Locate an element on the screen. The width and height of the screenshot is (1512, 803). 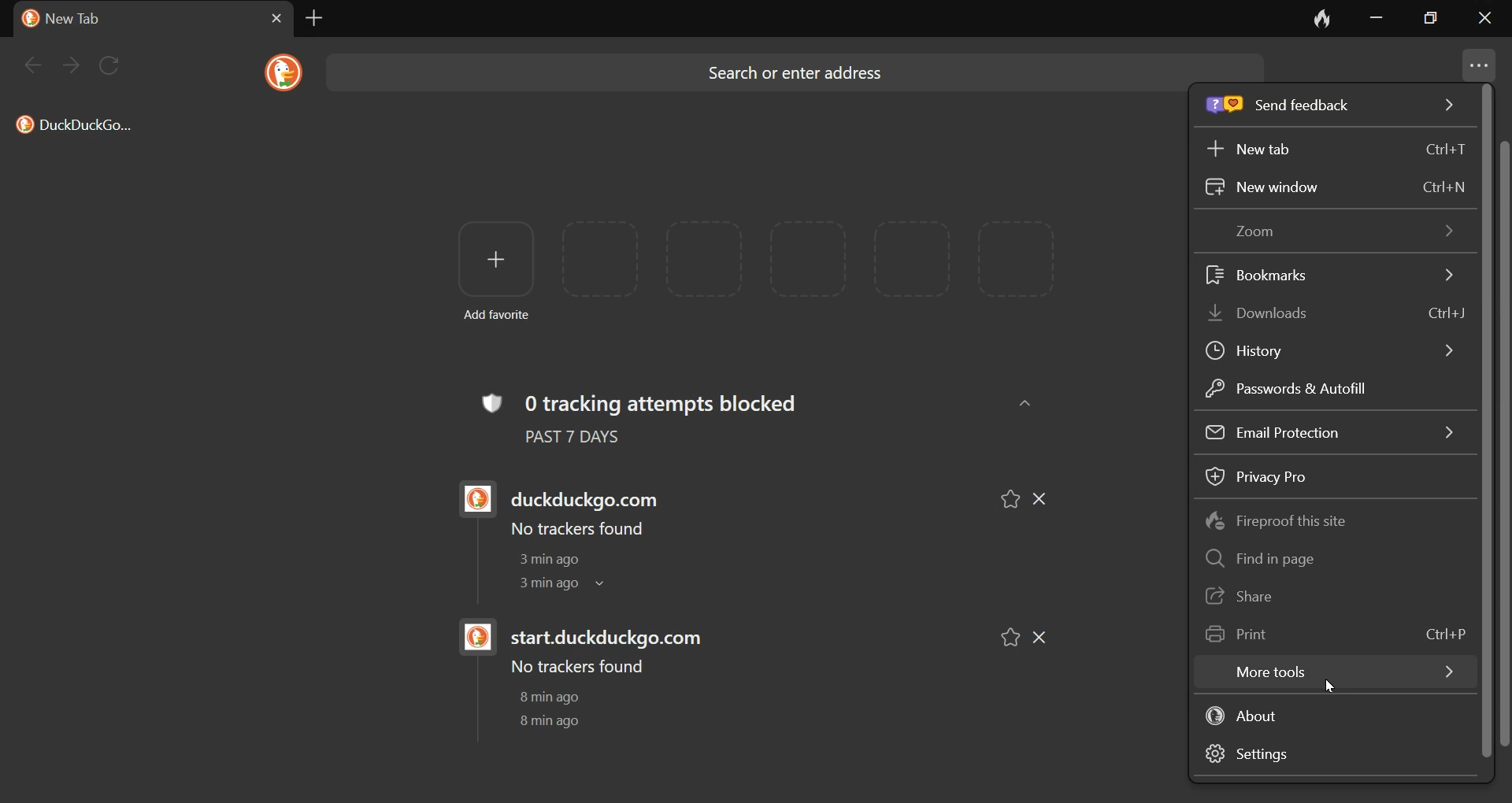
Privacy Pro is located at coordinates (1260, 475).